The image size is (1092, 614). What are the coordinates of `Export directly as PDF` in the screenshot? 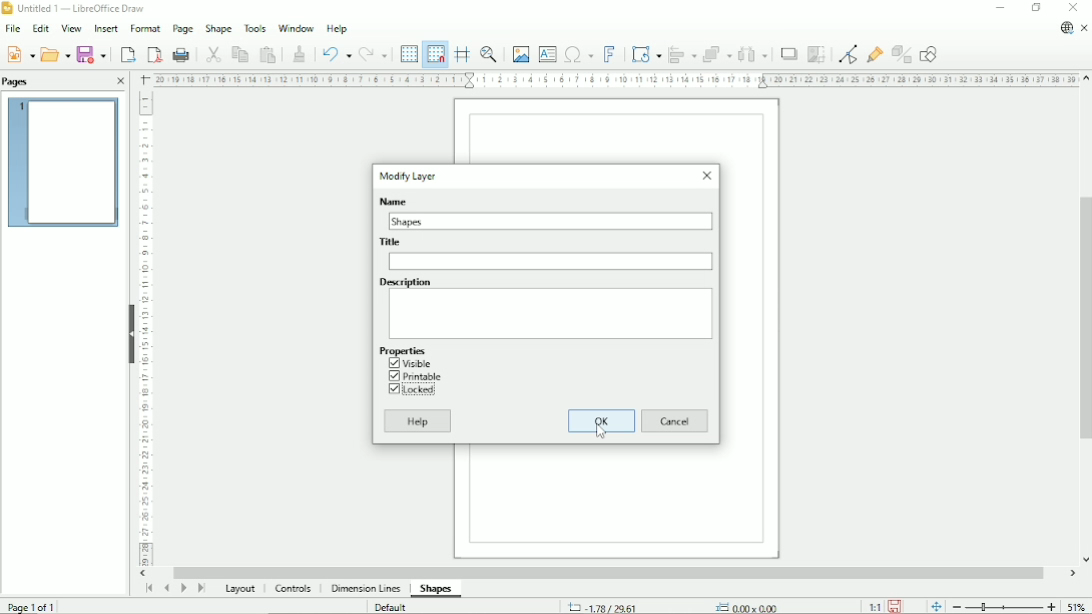 It's located at (154, 54).